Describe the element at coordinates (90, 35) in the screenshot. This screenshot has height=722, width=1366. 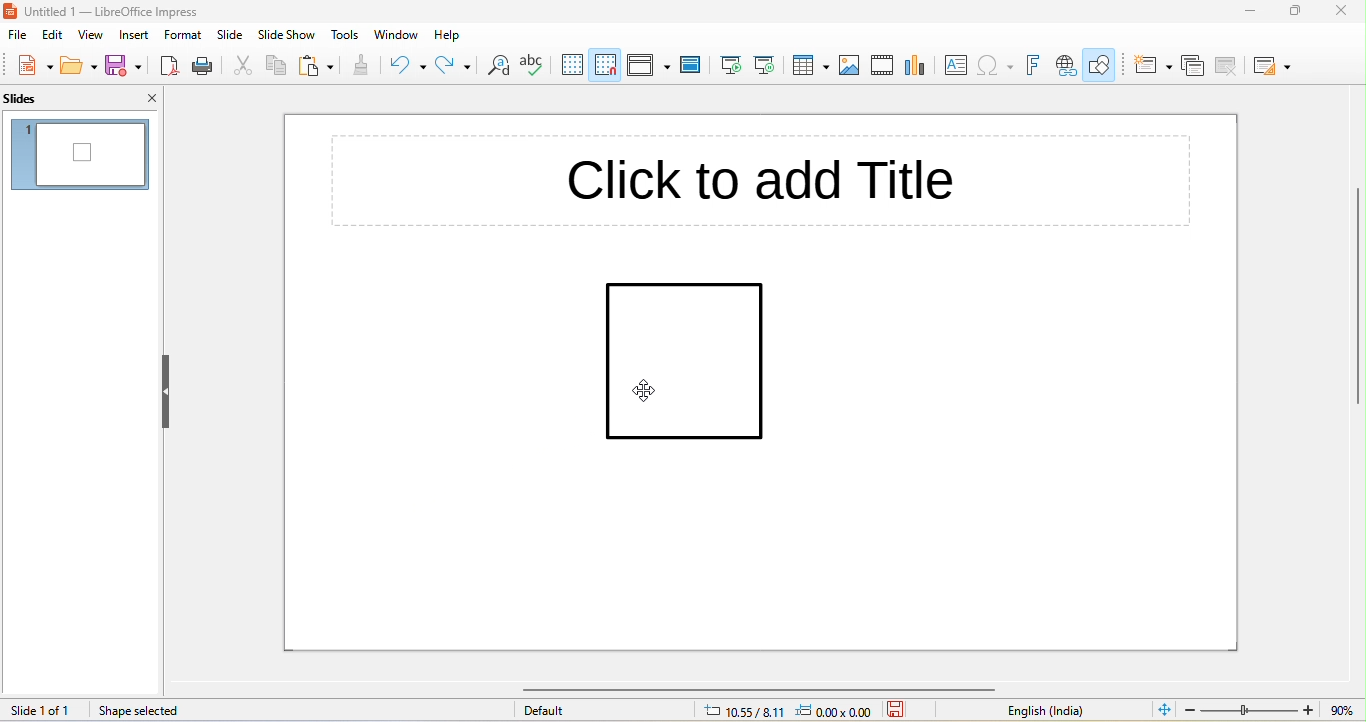
I see `view` at that location.